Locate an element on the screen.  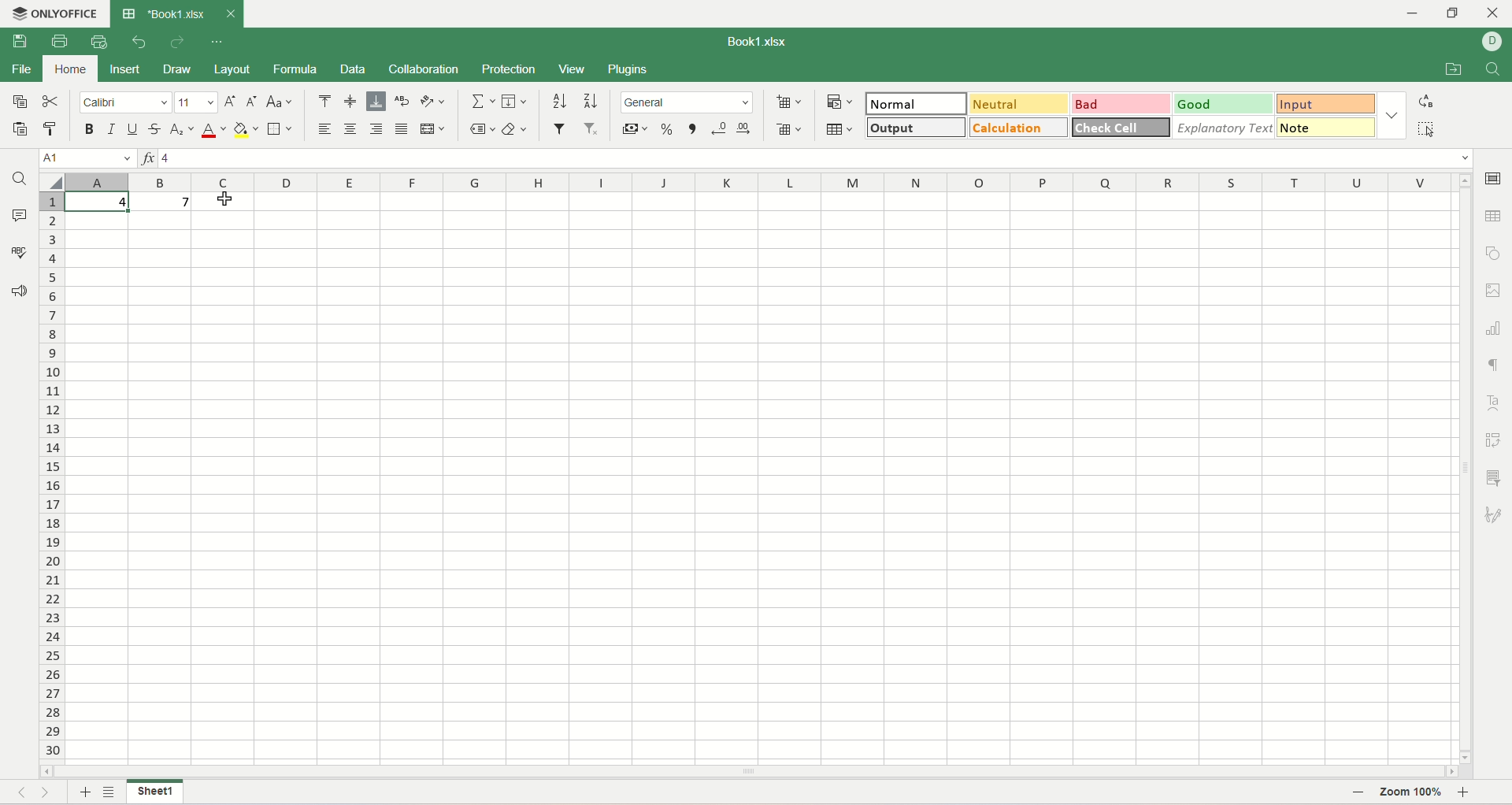
cell position is located at coordinates (88, 159).